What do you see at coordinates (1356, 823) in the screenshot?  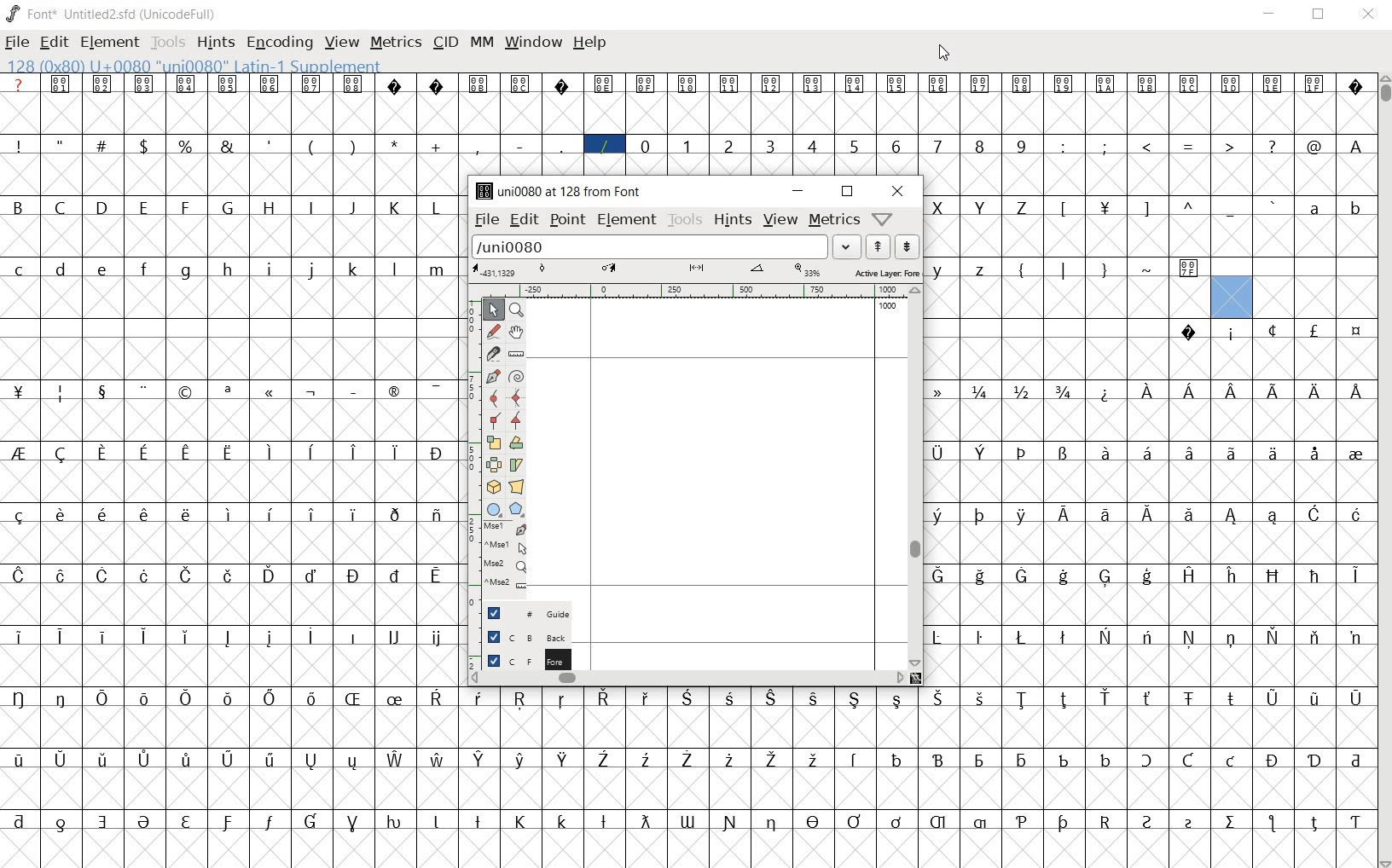 I see `glyph` at bounding box center [1356, 823].